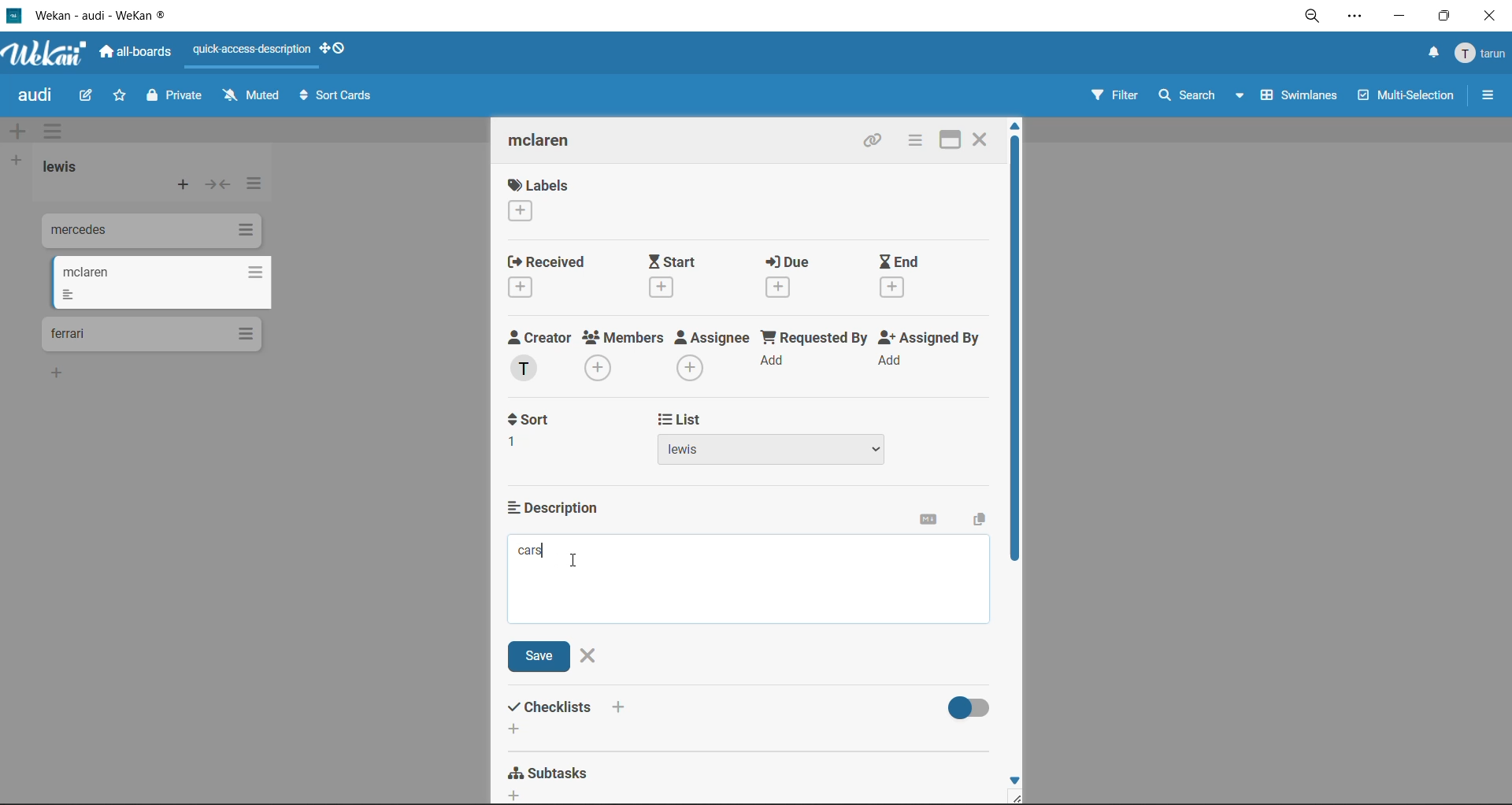 This screenshot has width=1512, height=805. I want to click on quick access description, so click(253, 50).